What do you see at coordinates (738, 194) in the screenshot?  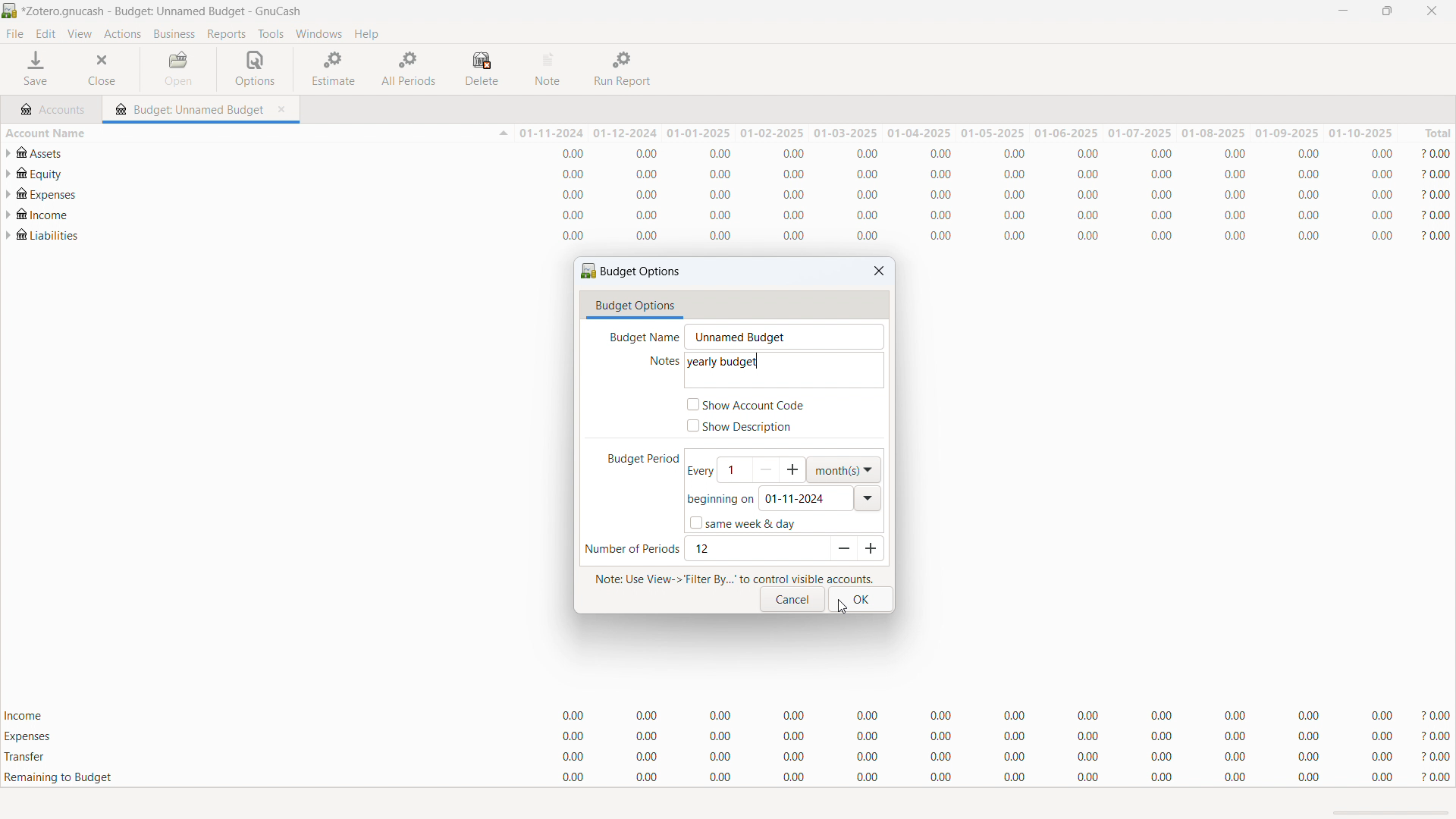 I see `account statement for "Expenses"` at bounding box center [738, 194].